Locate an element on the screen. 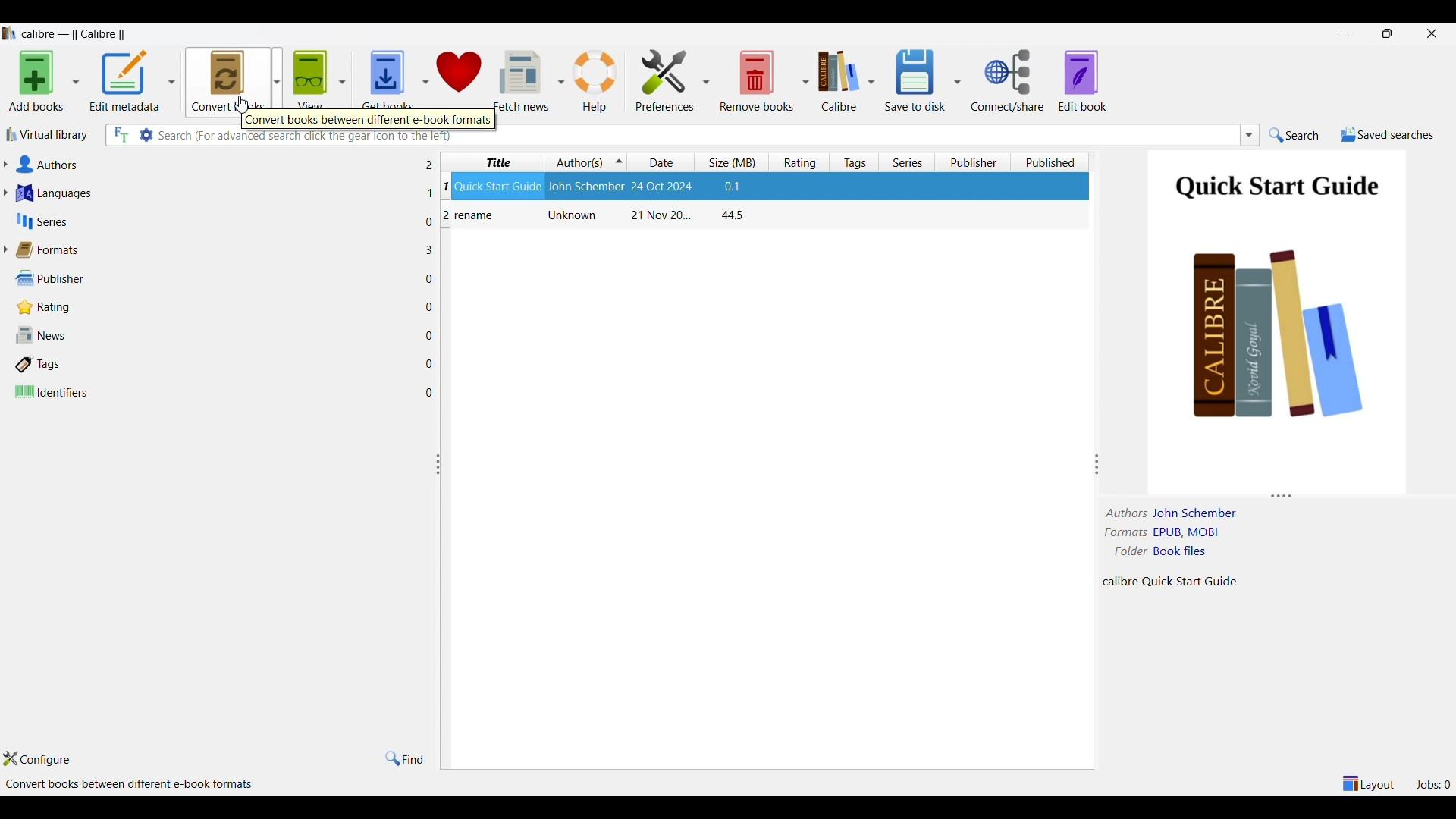 The height and width of the screenshot is (819, 1456). Add books is located at coordinates (36, 81).